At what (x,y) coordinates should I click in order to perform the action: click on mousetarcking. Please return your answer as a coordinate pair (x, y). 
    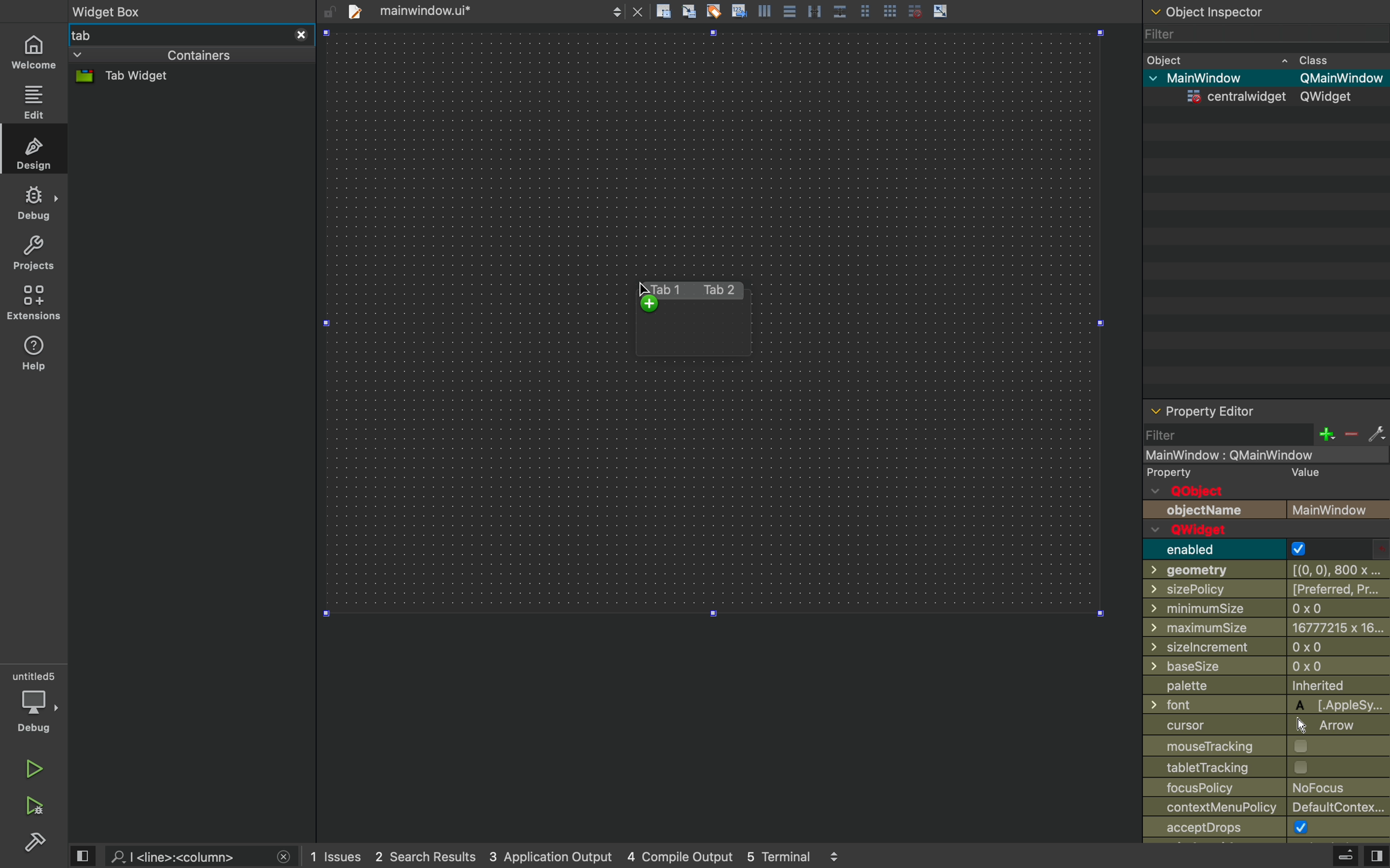
    Looking at the image, I should click on (1261, 747).